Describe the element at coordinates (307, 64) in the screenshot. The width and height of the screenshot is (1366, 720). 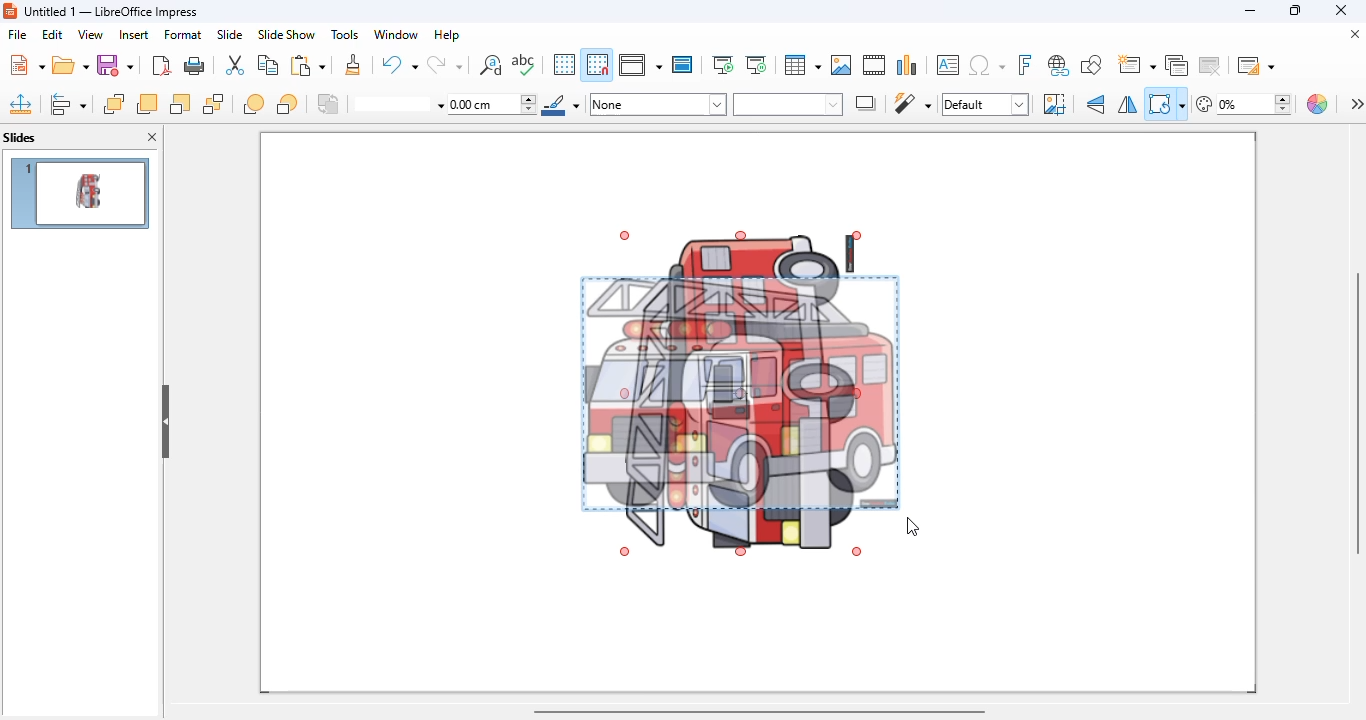
I see `paste` at that location.